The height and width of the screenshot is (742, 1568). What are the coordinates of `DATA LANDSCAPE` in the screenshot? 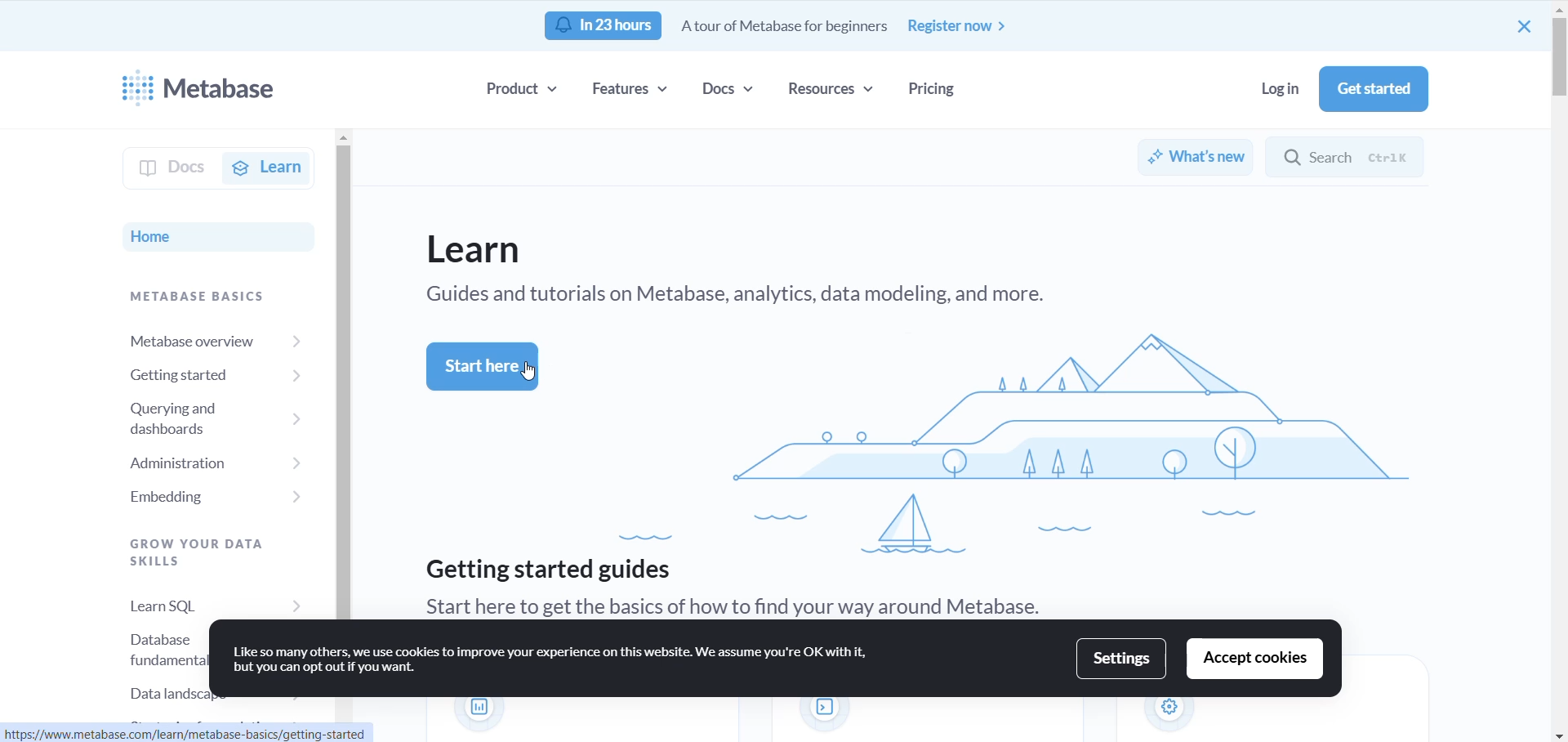 It's located at (160, 693).